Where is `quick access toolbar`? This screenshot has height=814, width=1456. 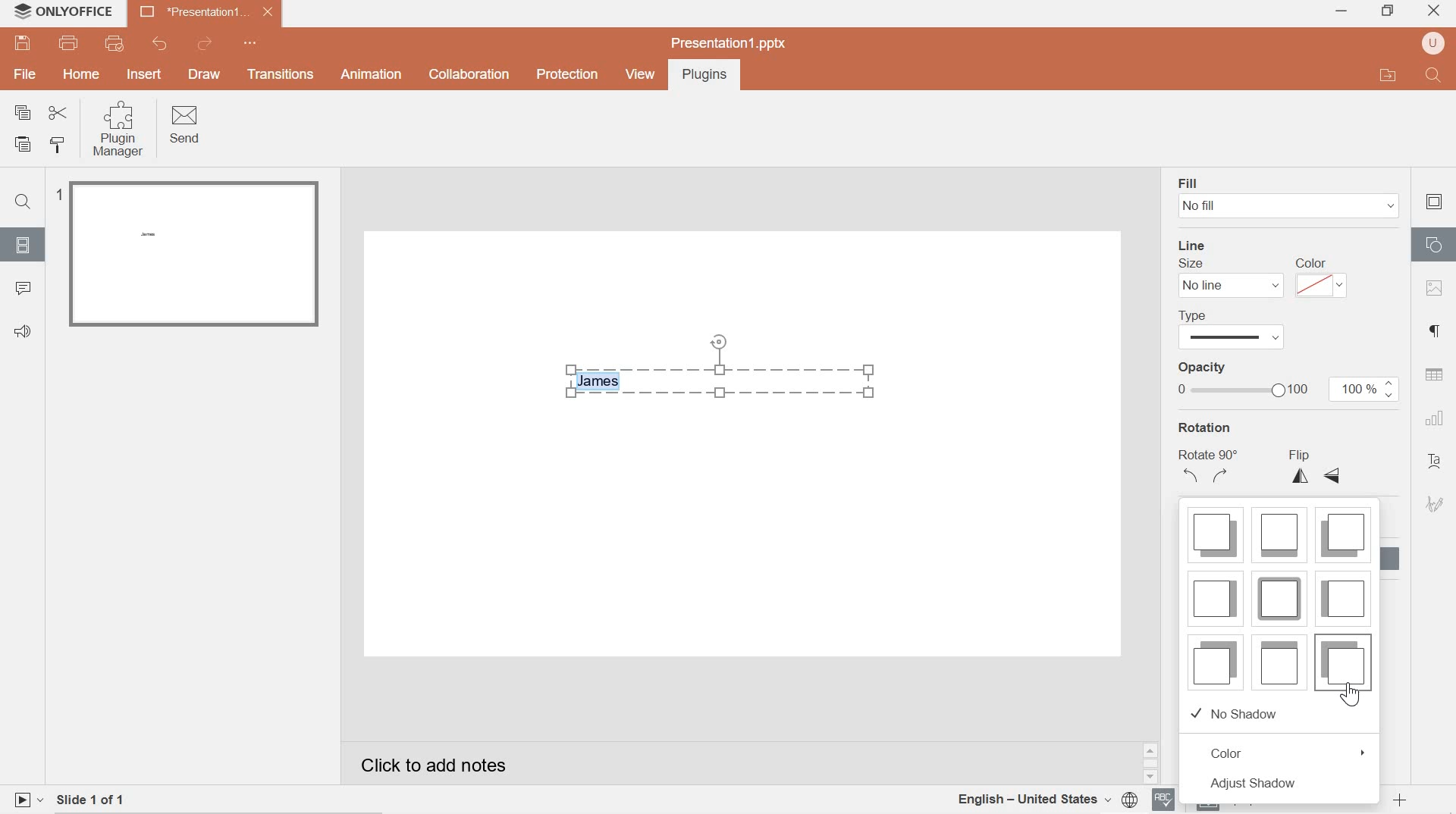
quick access toolbar is located at coordinates (253, 43).